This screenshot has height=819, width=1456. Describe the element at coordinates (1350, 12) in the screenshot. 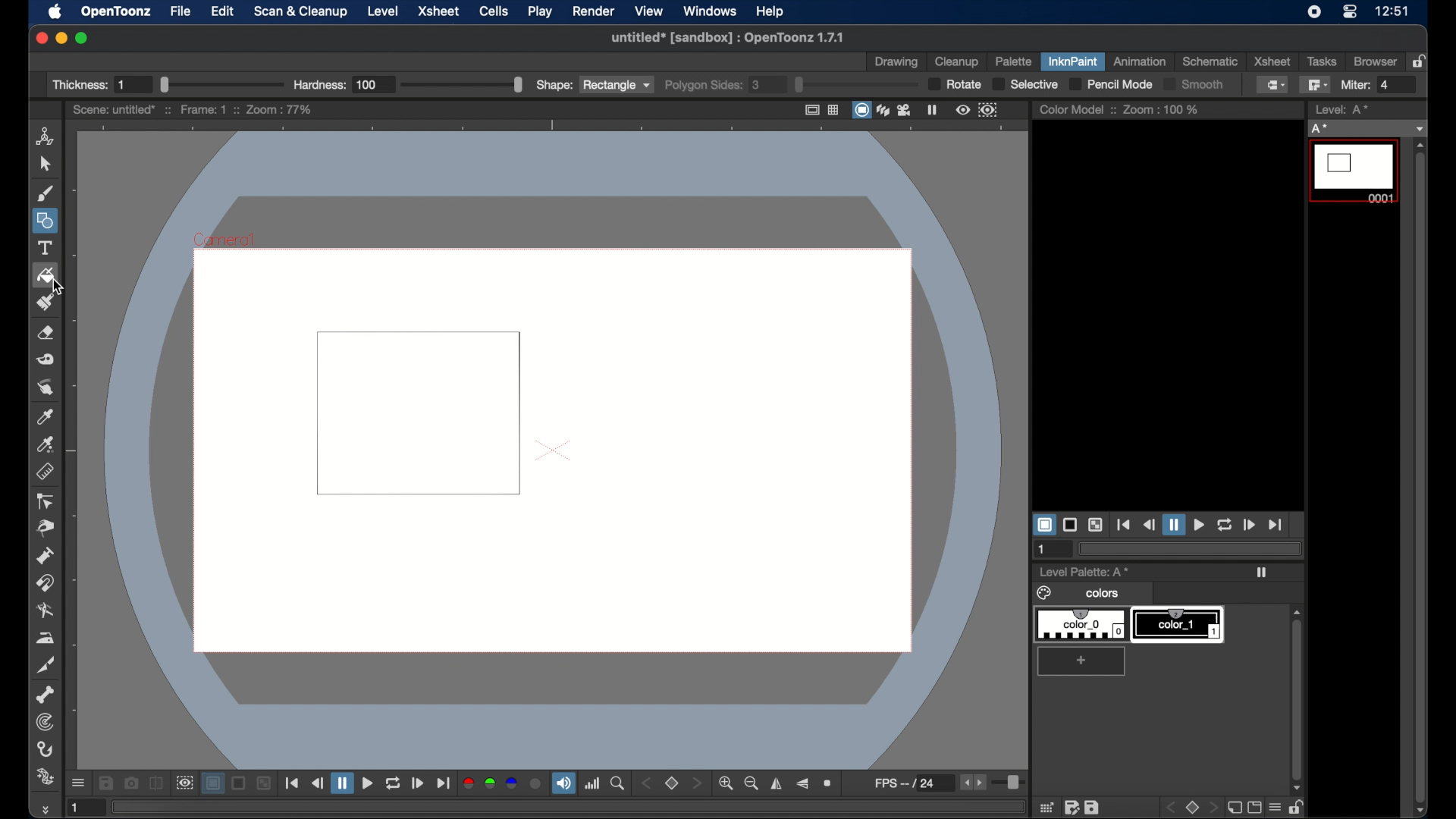

I see `control center` at that location.